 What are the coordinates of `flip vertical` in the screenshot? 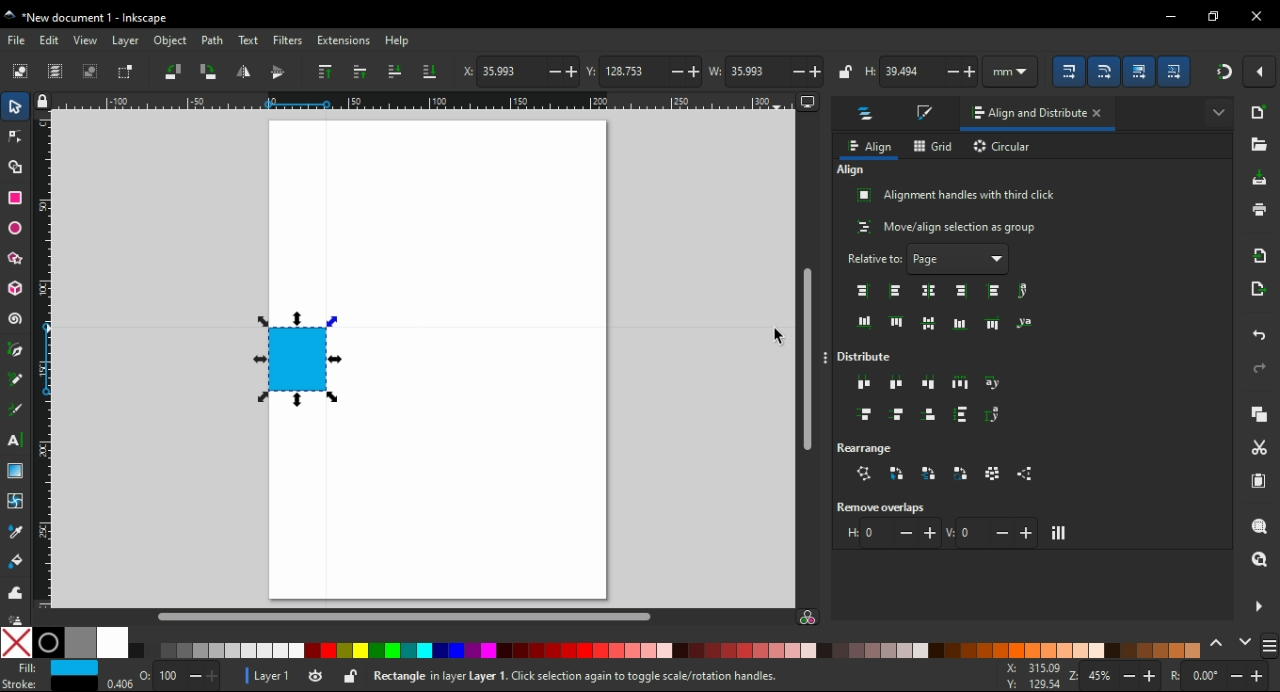 It's located at (280, 73).